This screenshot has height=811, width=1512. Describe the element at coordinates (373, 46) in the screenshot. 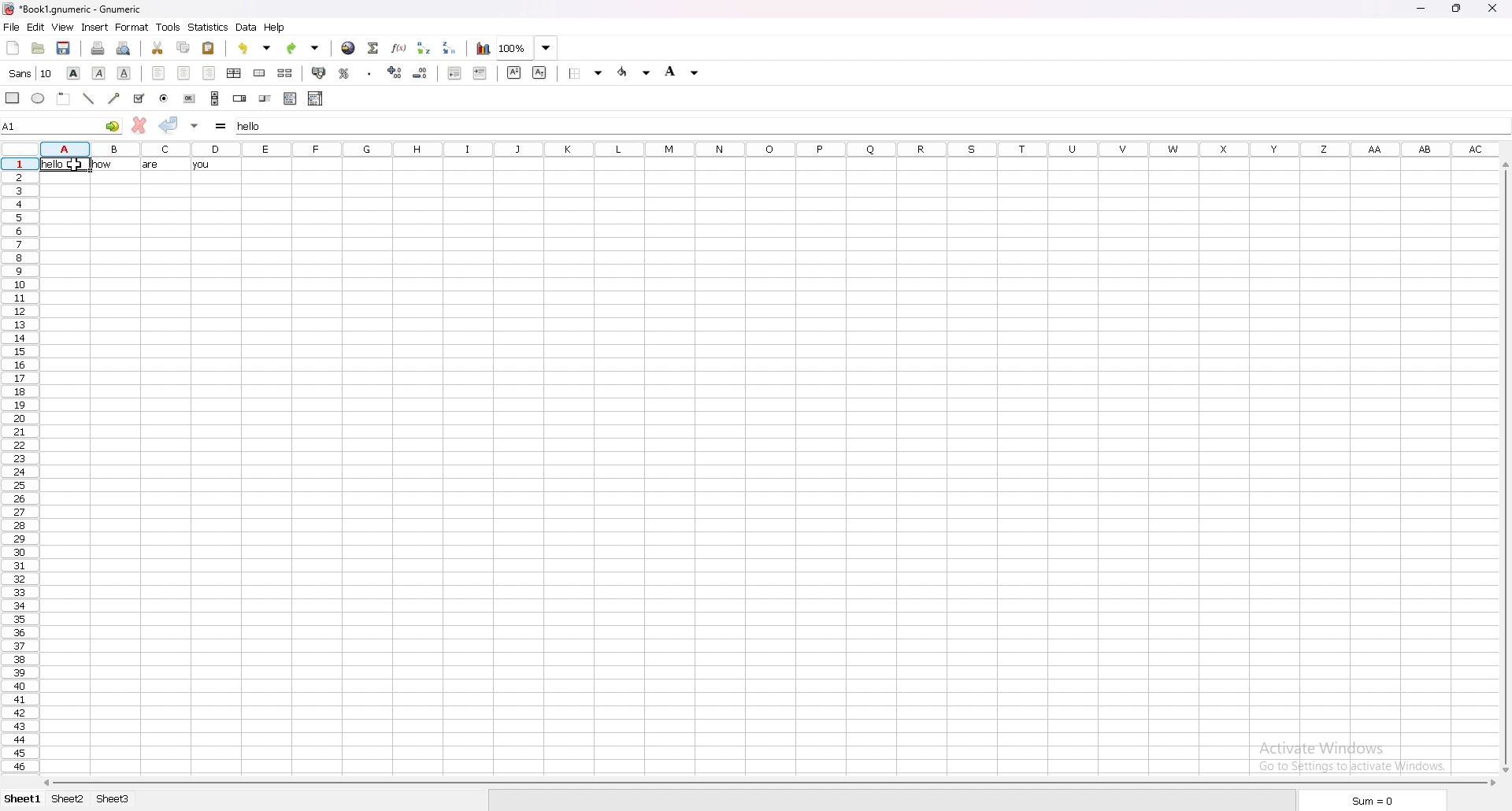

I see `summation` at that location.